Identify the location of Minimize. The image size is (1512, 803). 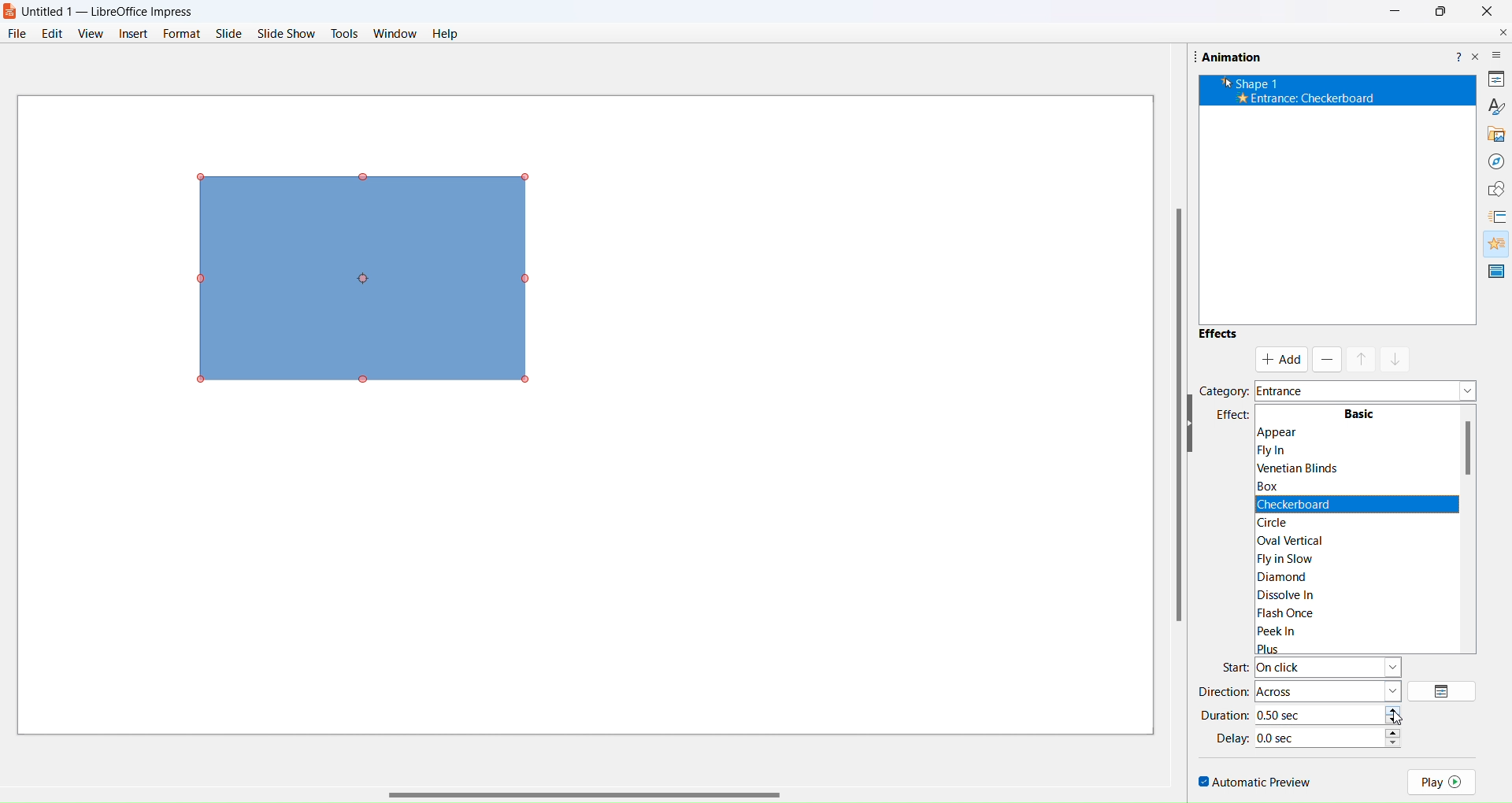
(1392, 13).